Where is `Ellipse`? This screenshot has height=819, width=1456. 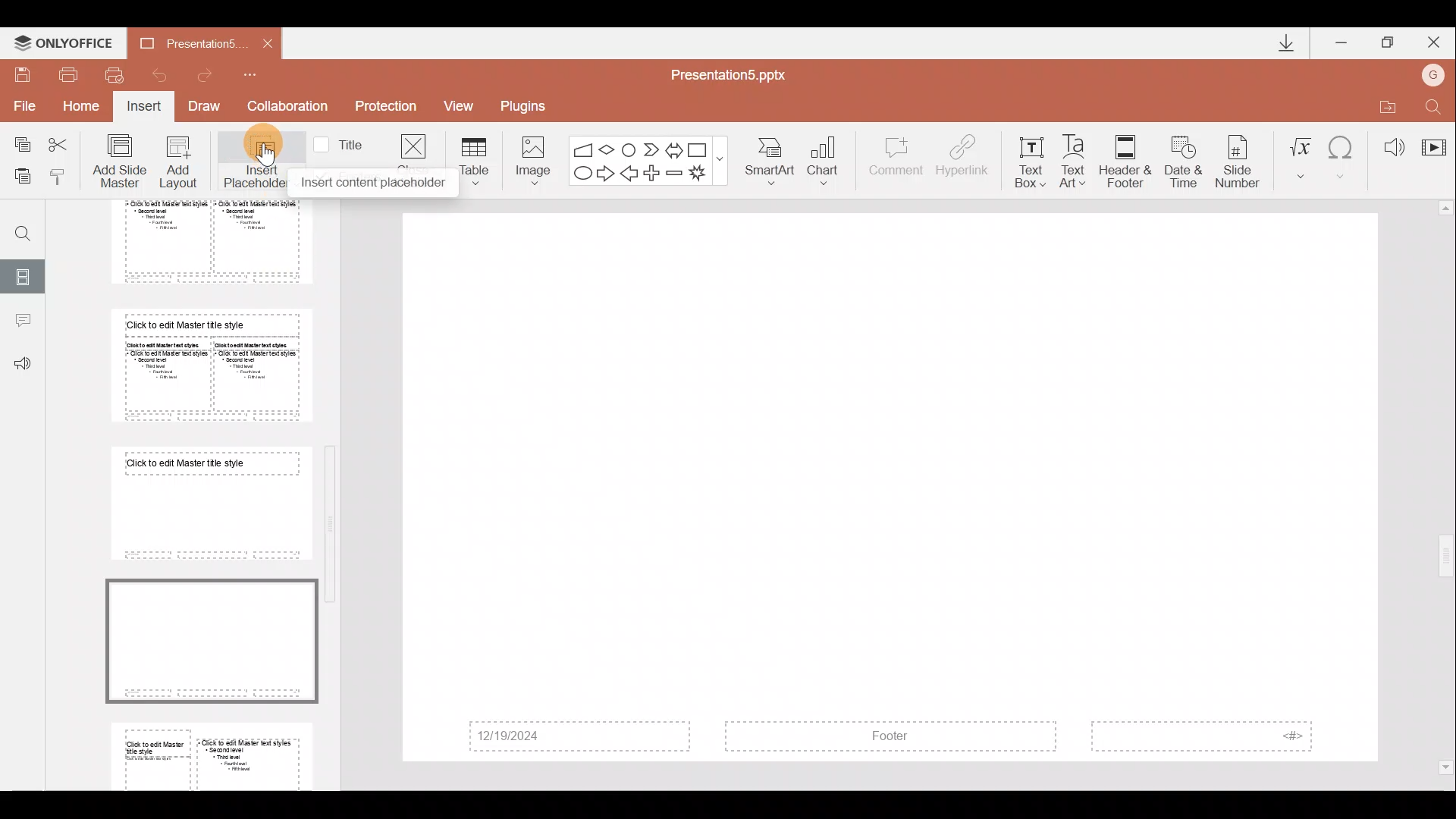
Ellipse is located at coordinates (581, 174).